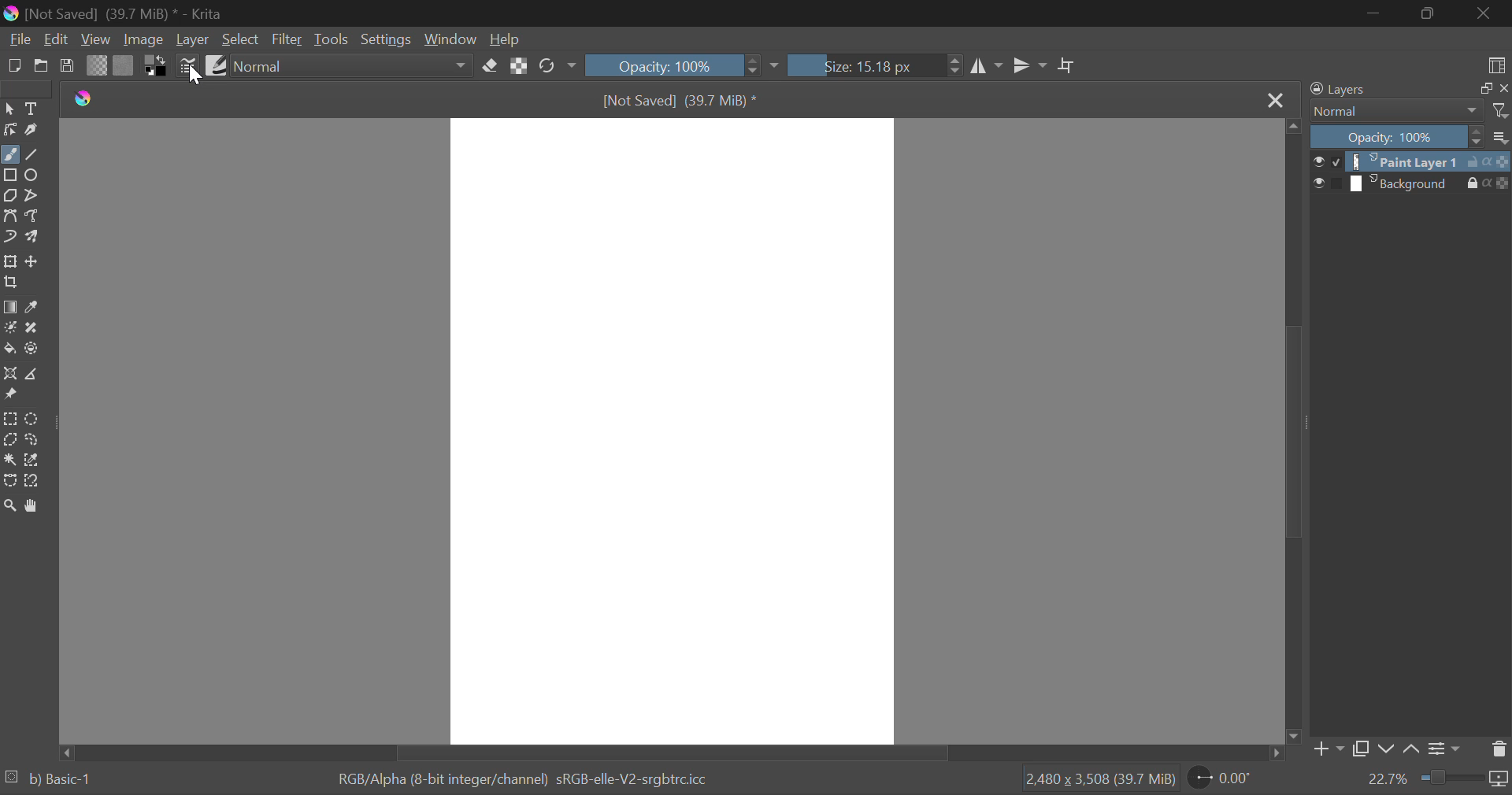  Describe the element at coordinates (1276, 99) in the screenshot. I see `Close` at that location.